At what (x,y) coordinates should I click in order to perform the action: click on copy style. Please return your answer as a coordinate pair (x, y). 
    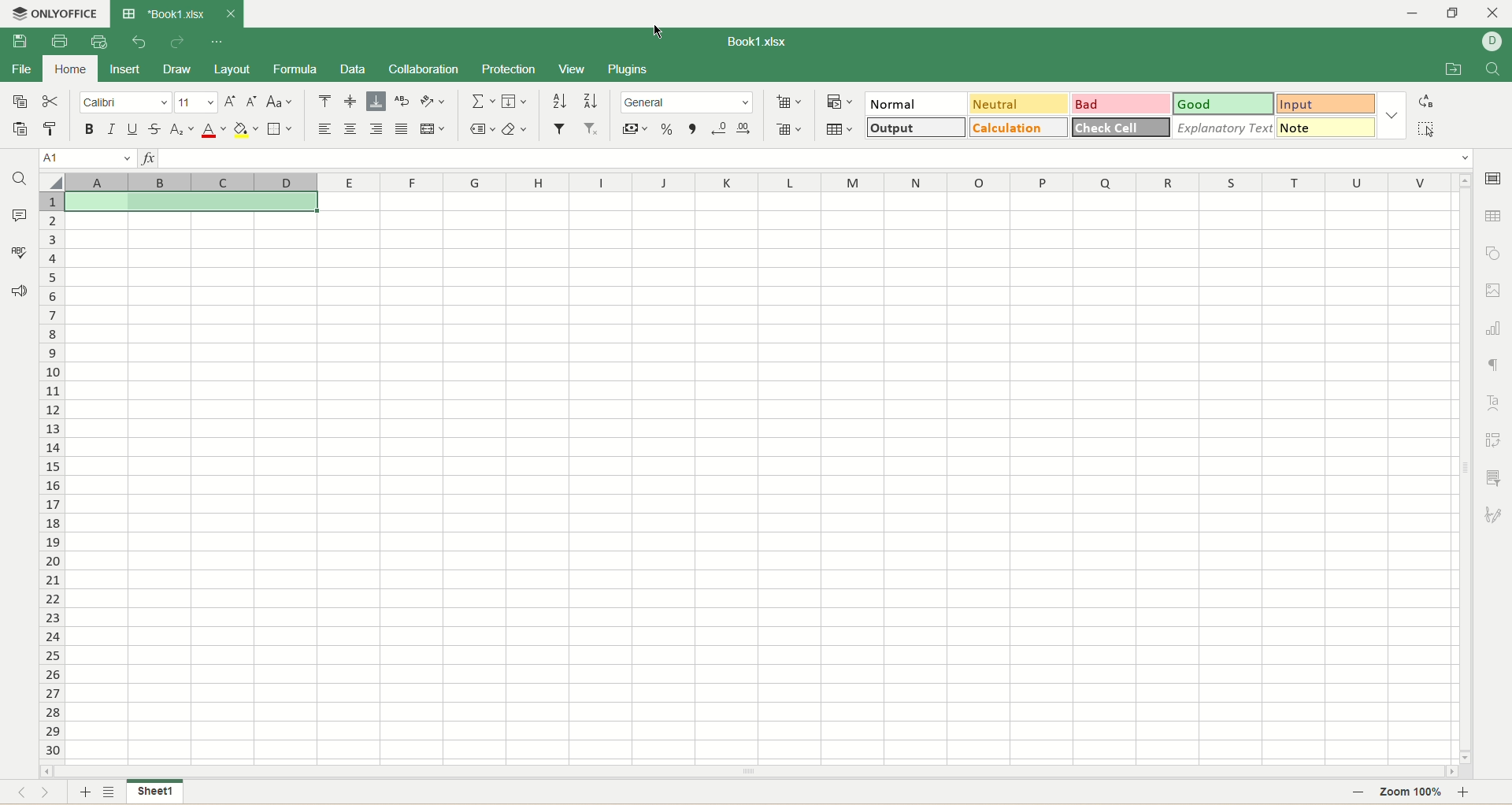
    Looking at the image, I should click on (50, 132).